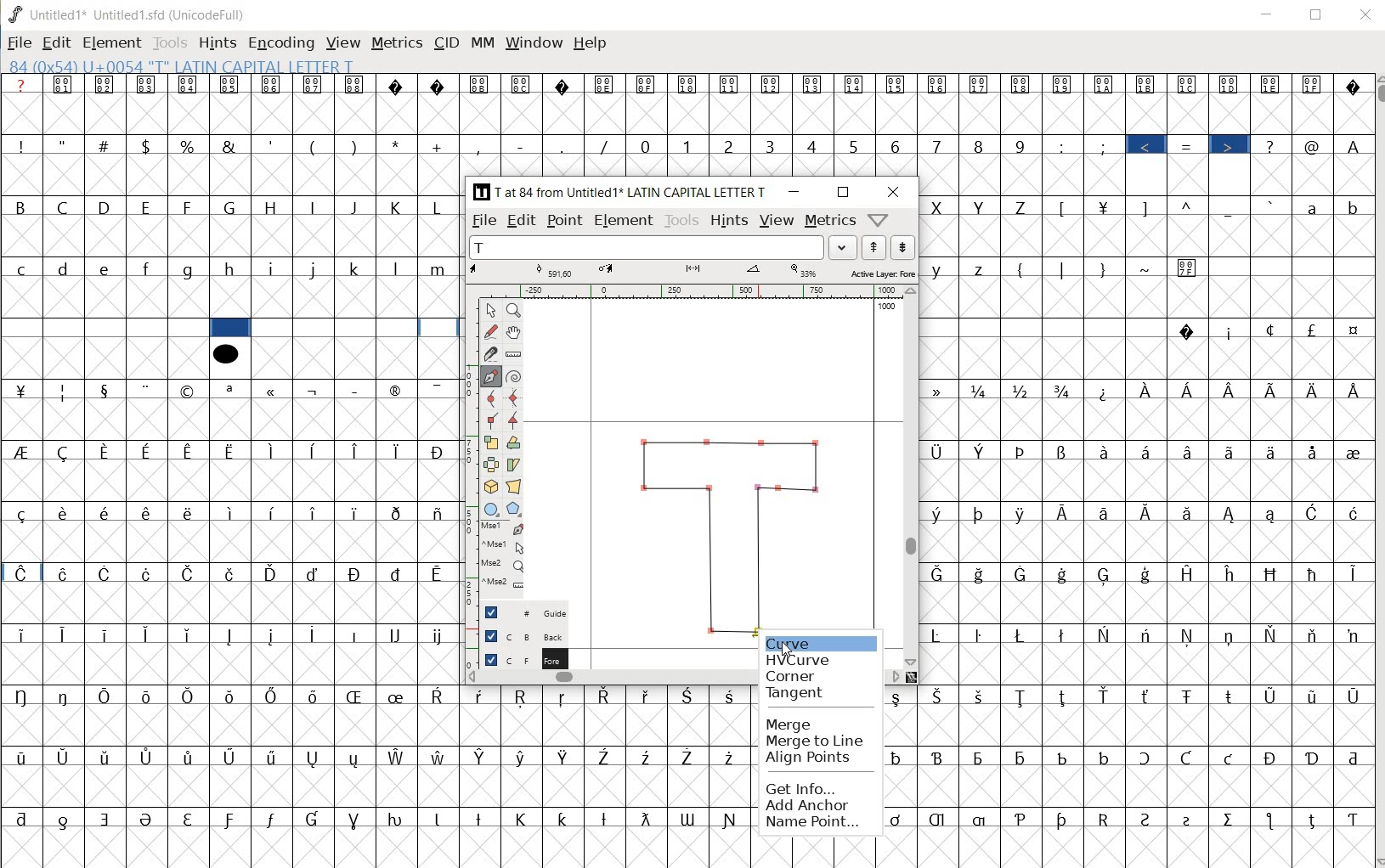  Describe the element at coordinates (1352, 144) in the screenshot. I see `A` at that location.